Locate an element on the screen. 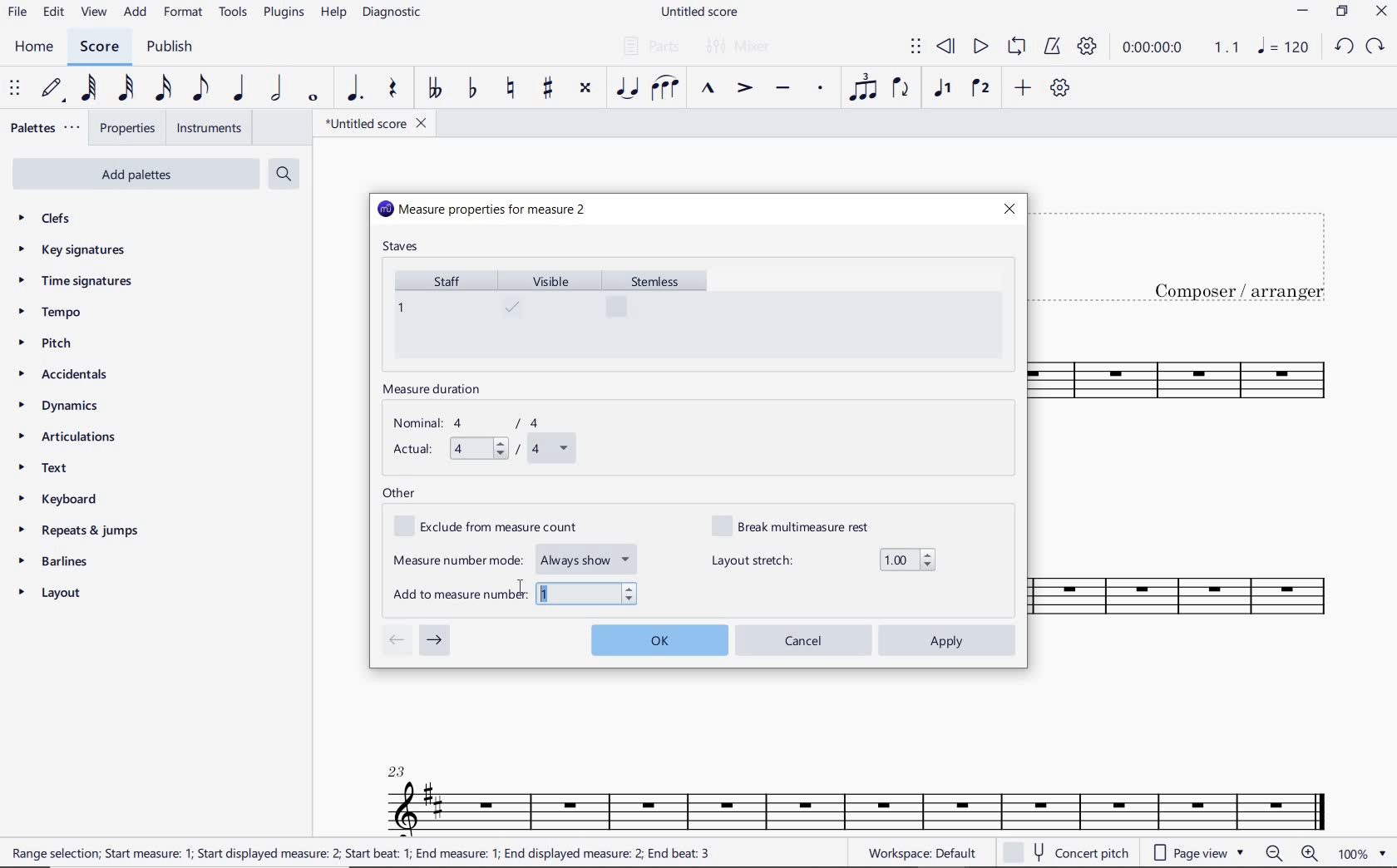  TEXT is located at coordinates (47, 470).